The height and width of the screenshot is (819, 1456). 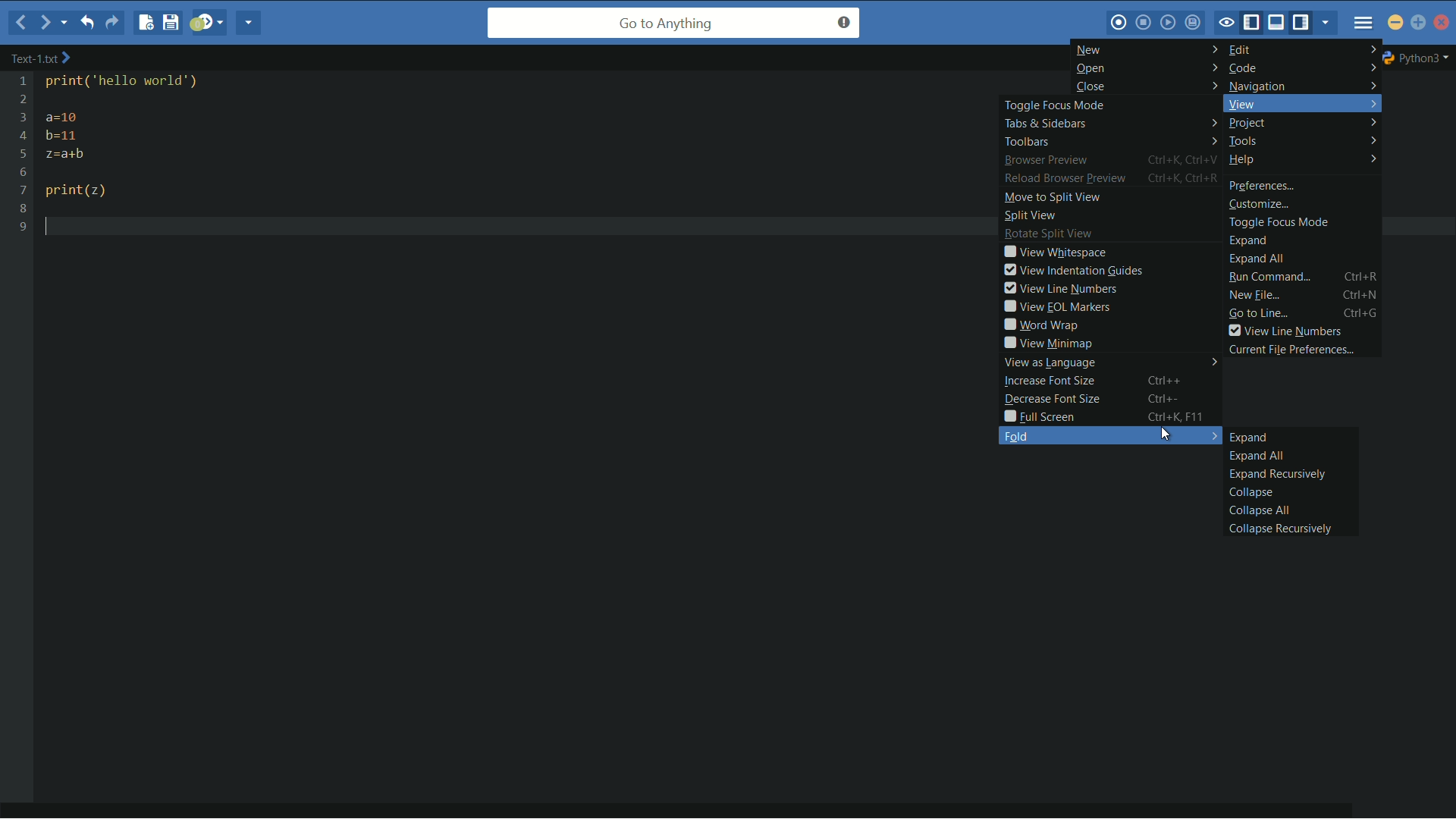 What do you see at coordinates (1277, 529) in the screenshot?
I see `collapse recursively` at bounding box center [1277, 529].